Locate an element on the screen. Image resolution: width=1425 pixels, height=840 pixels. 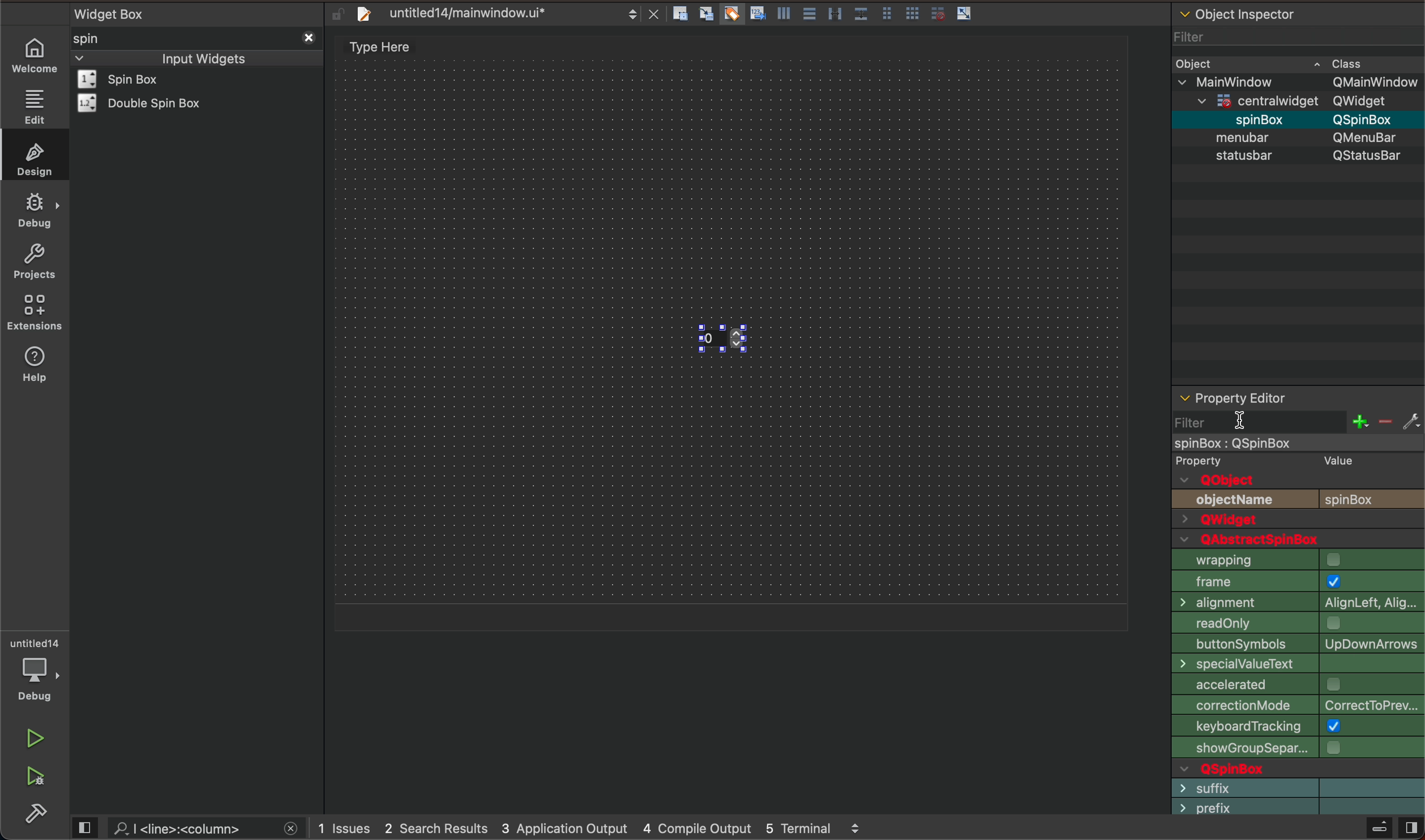
animated is located at coordinates (1298, 599).